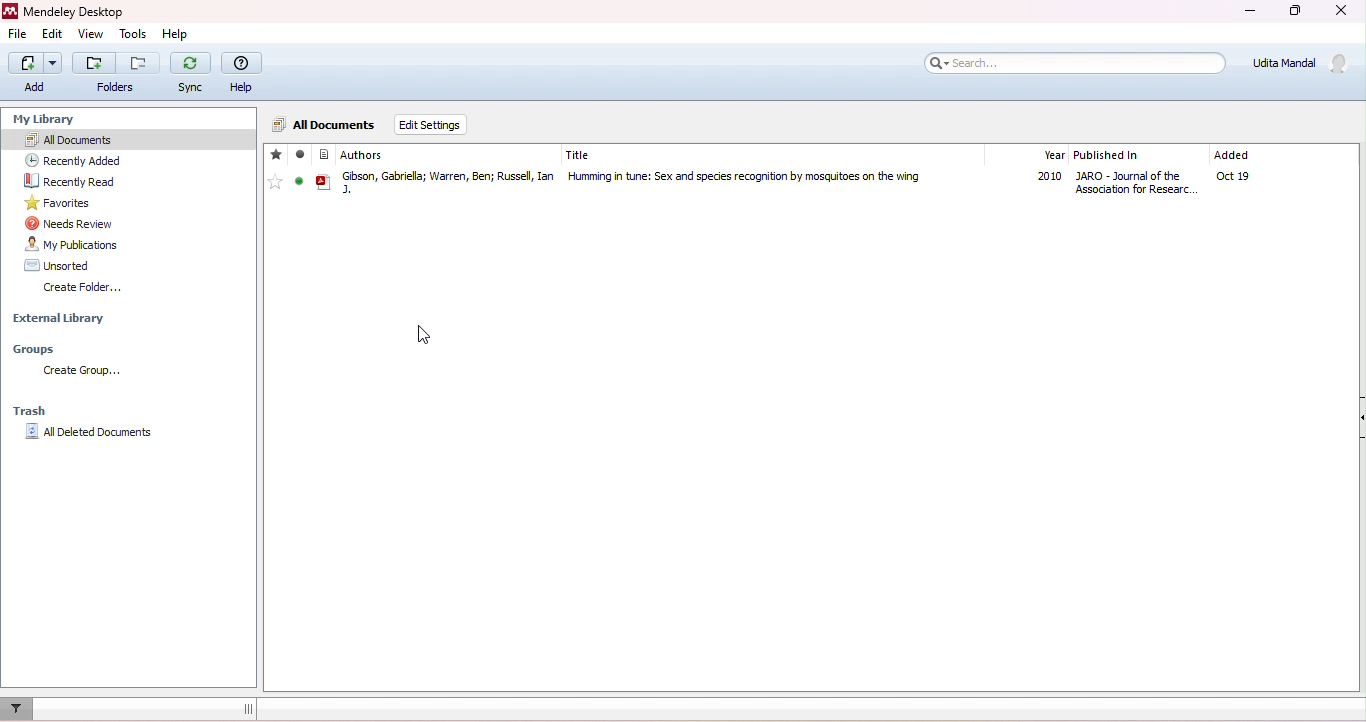  Describe the element at coordinates (1248, 12) in the screenshot. I see `minimize ` at that location.